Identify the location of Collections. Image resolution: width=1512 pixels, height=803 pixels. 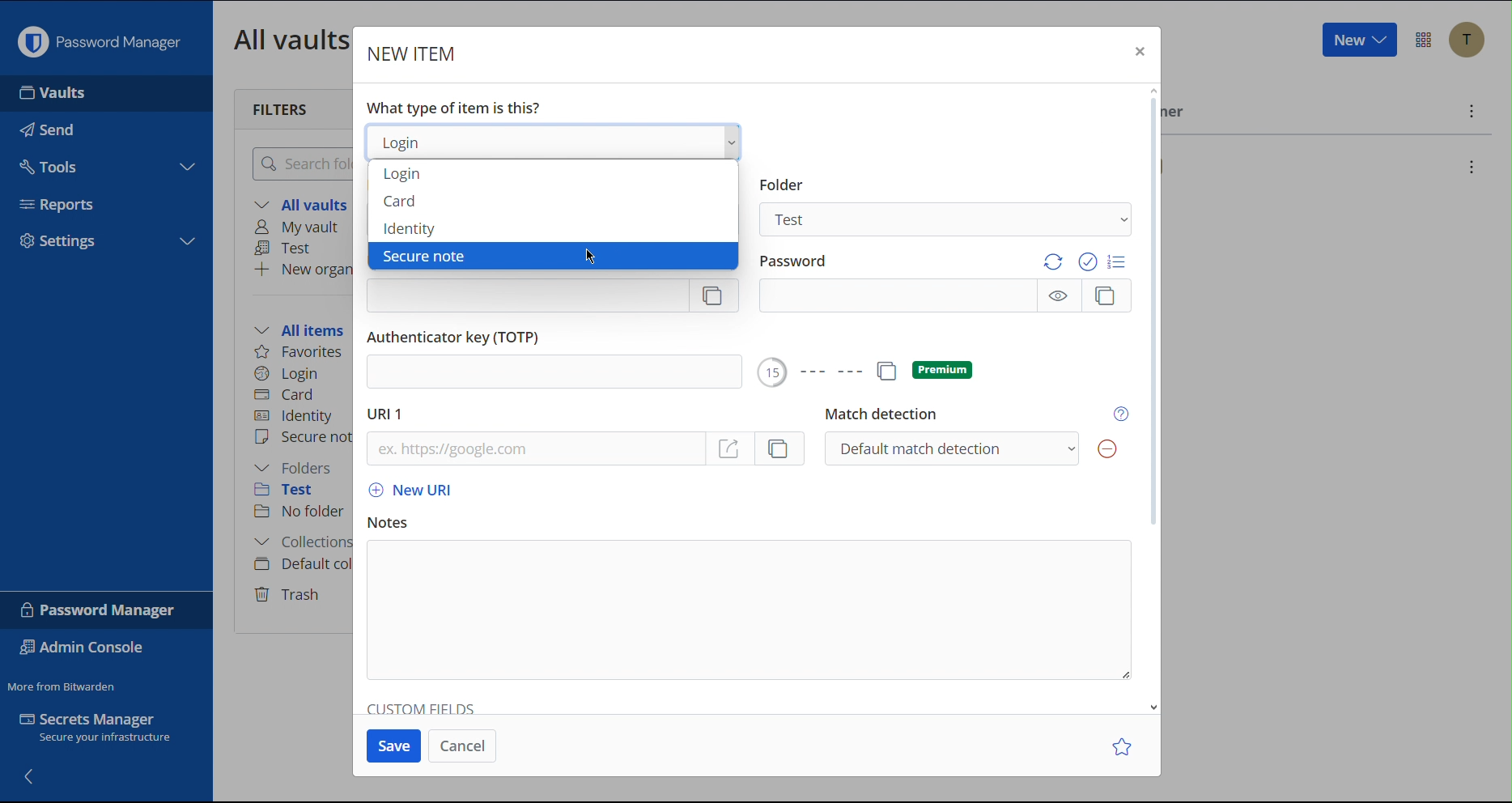
(299, 544).